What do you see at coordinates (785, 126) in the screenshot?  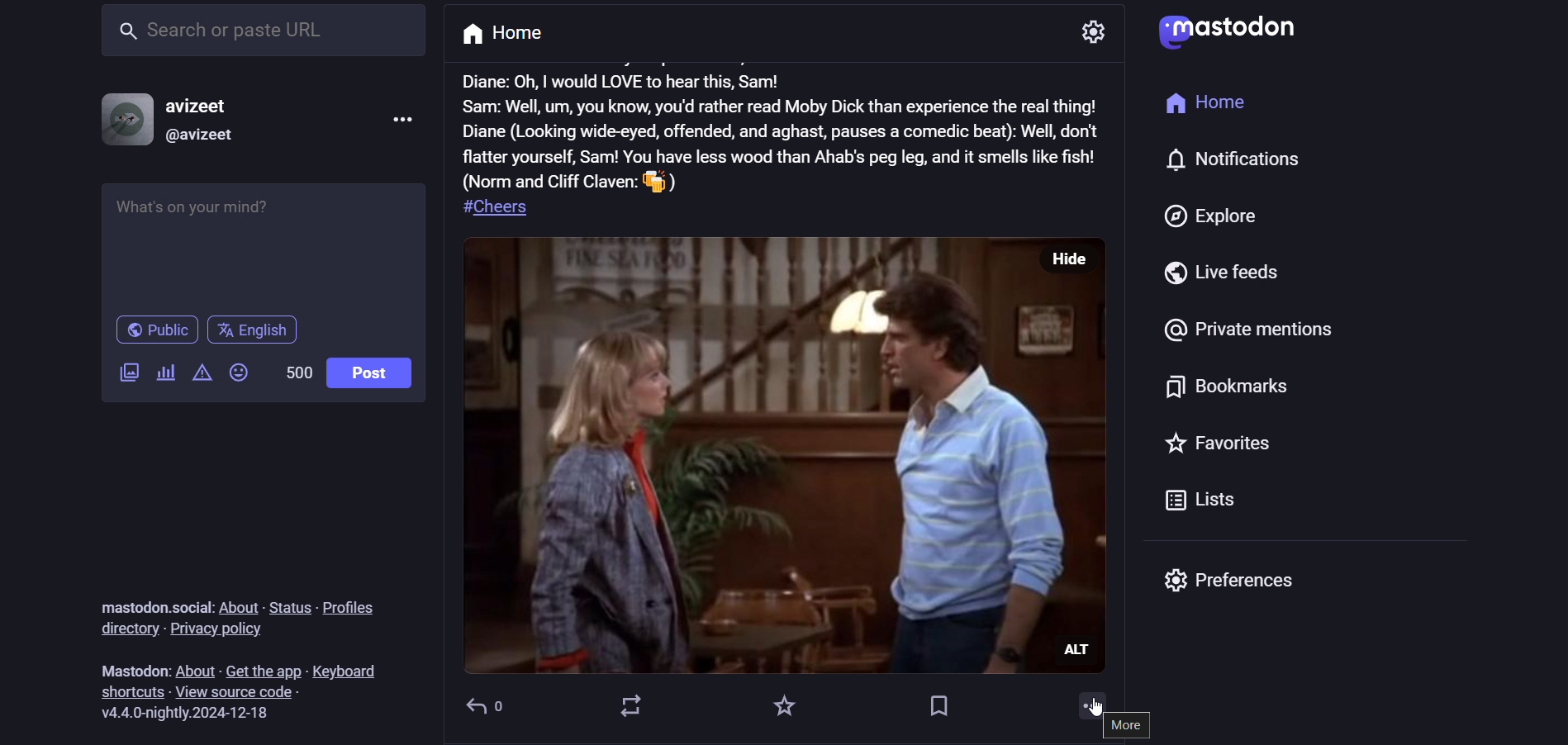 I see `post text` at bounding box center [785, 126].